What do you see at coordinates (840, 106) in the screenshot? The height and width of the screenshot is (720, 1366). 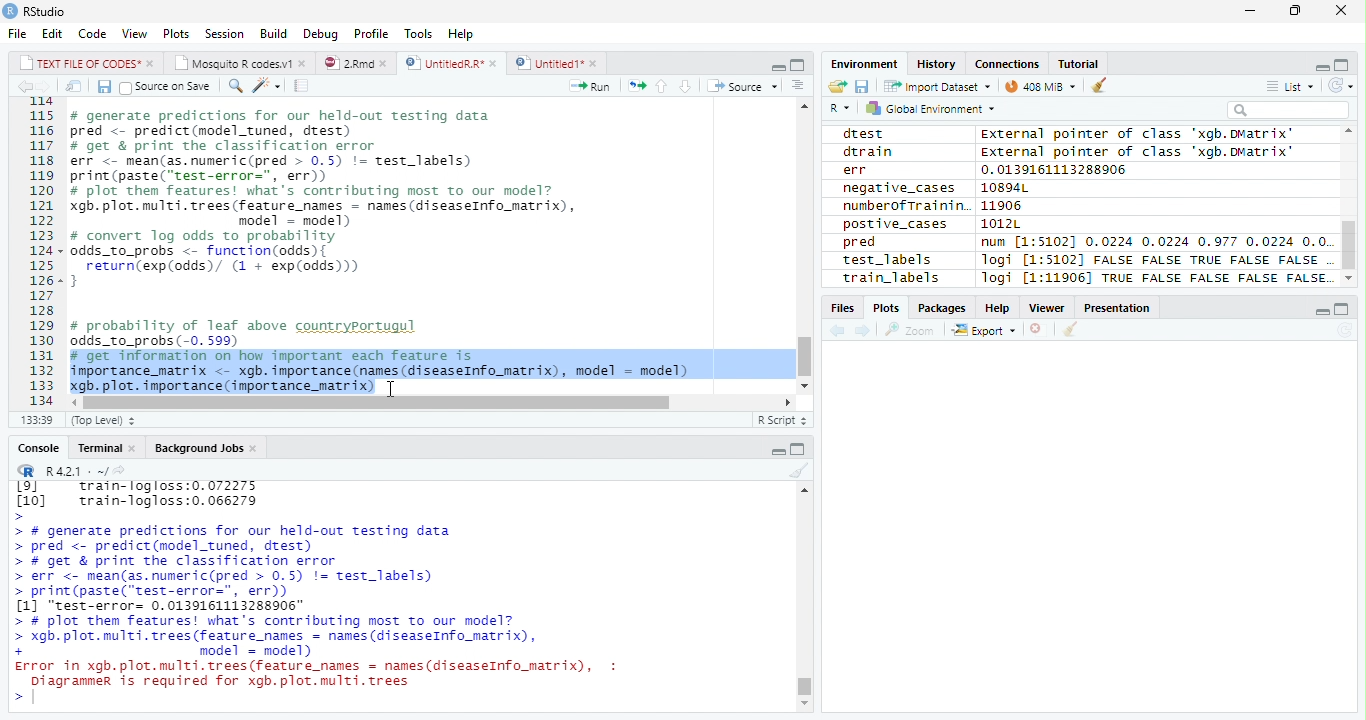 I see `R` at bounding box center [840, 106].